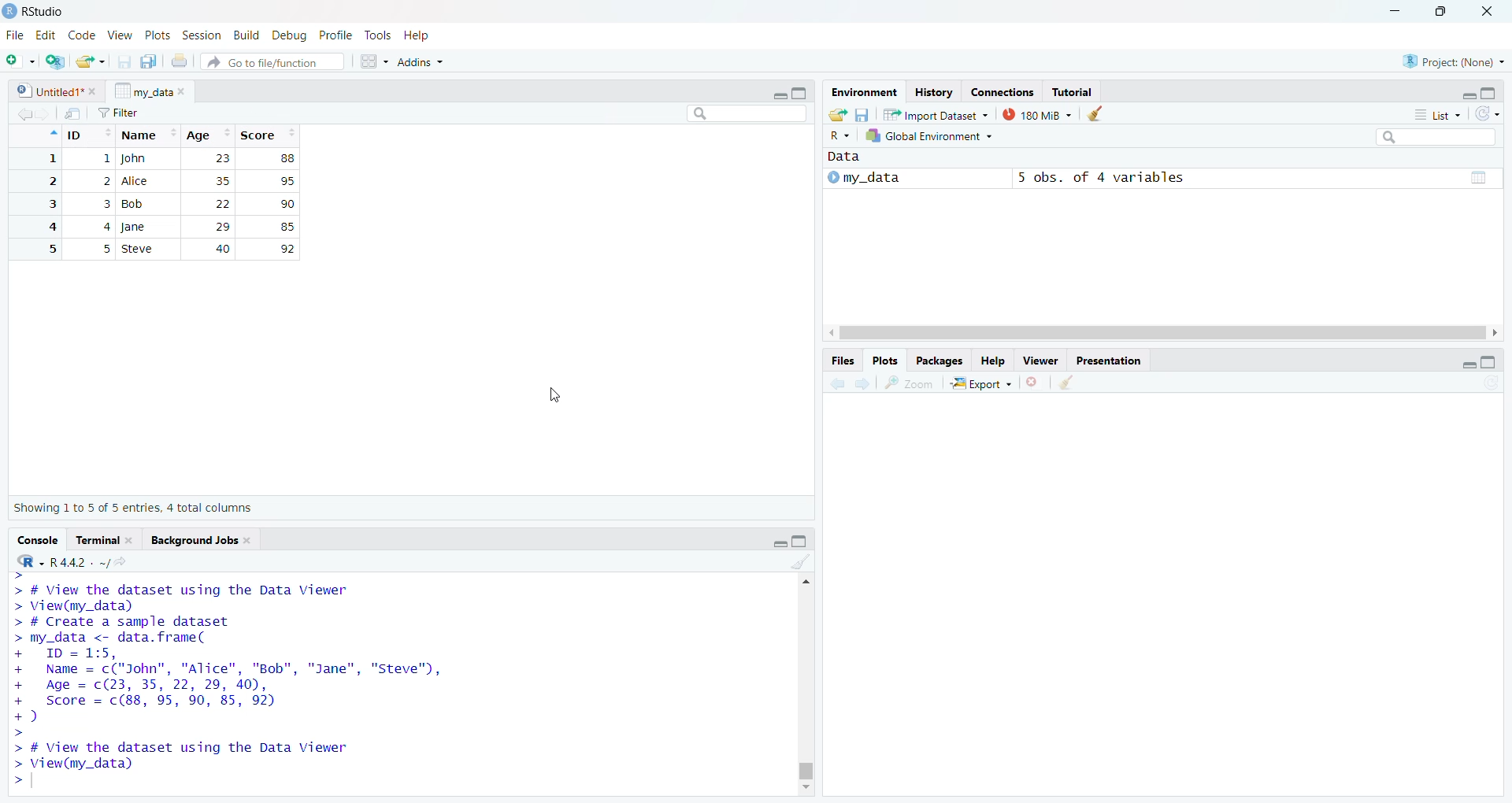  Describe the element at coordinates (865, 94) in the screenshot. I see `Environment` at that location.